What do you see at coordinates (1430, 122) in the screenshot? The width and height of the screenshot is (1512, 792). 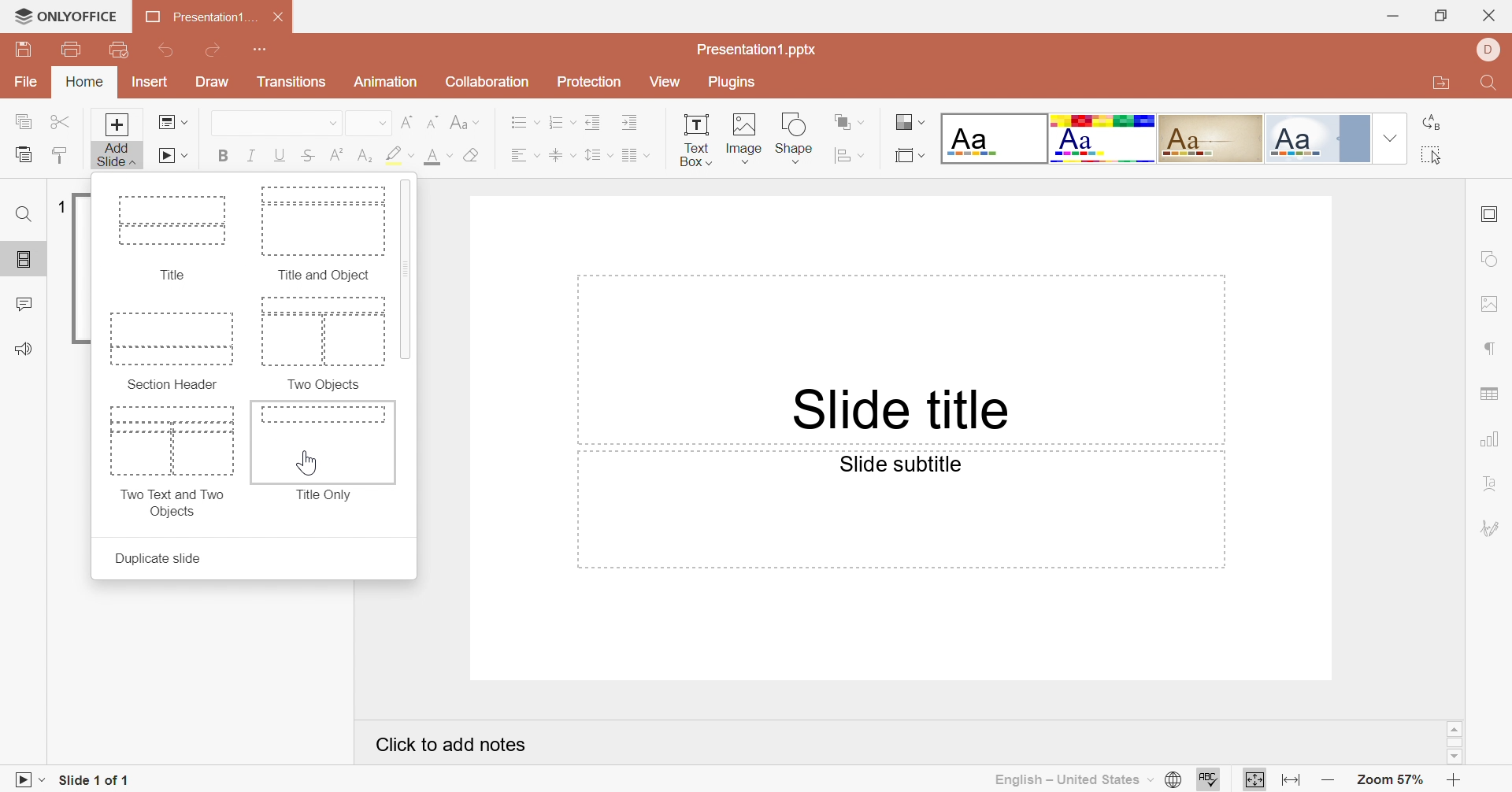 I see `Replace` at bounding box center [1430, 122].